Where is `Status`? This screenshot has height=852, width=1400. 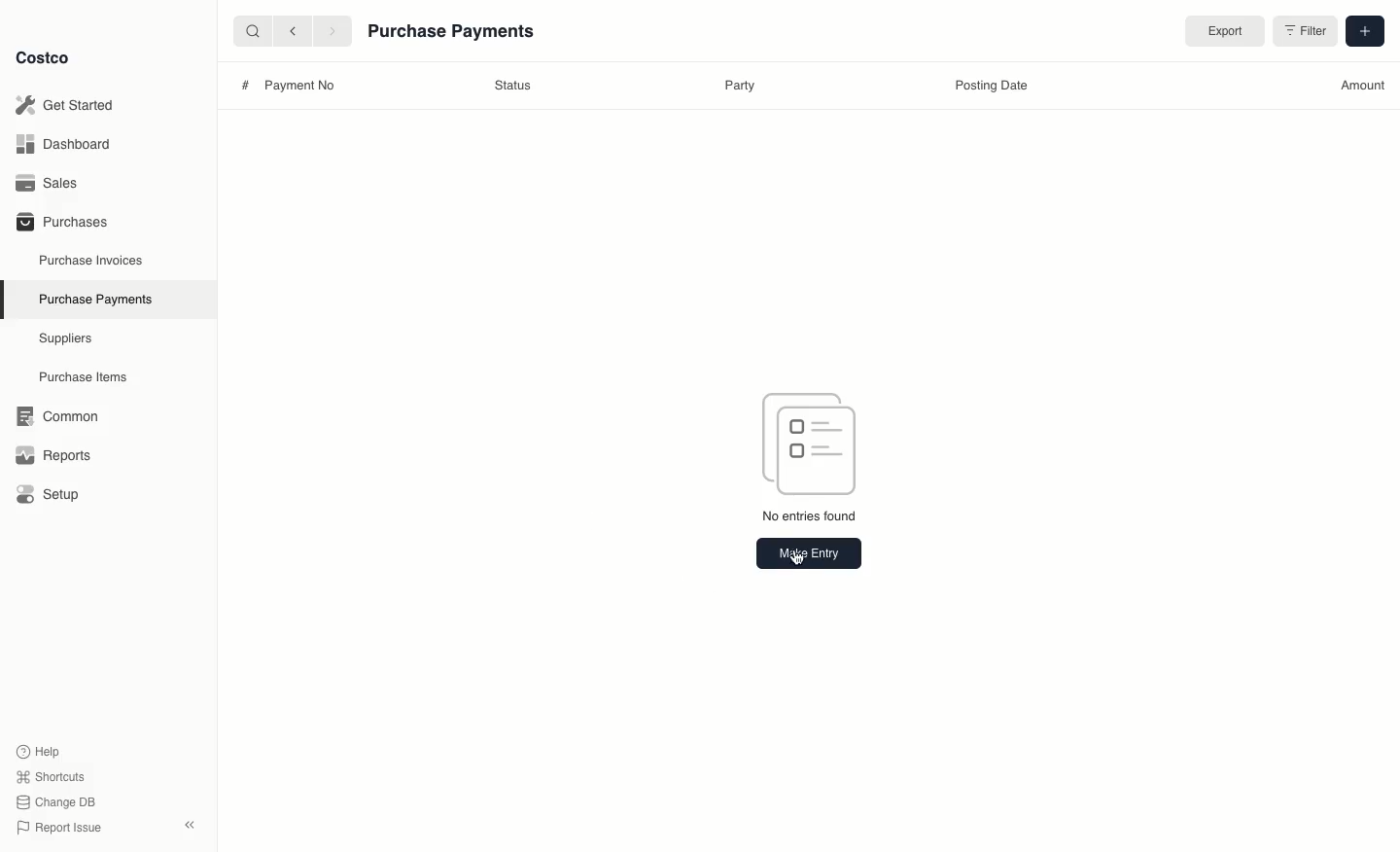 Status is located at coordinates (514, 86).